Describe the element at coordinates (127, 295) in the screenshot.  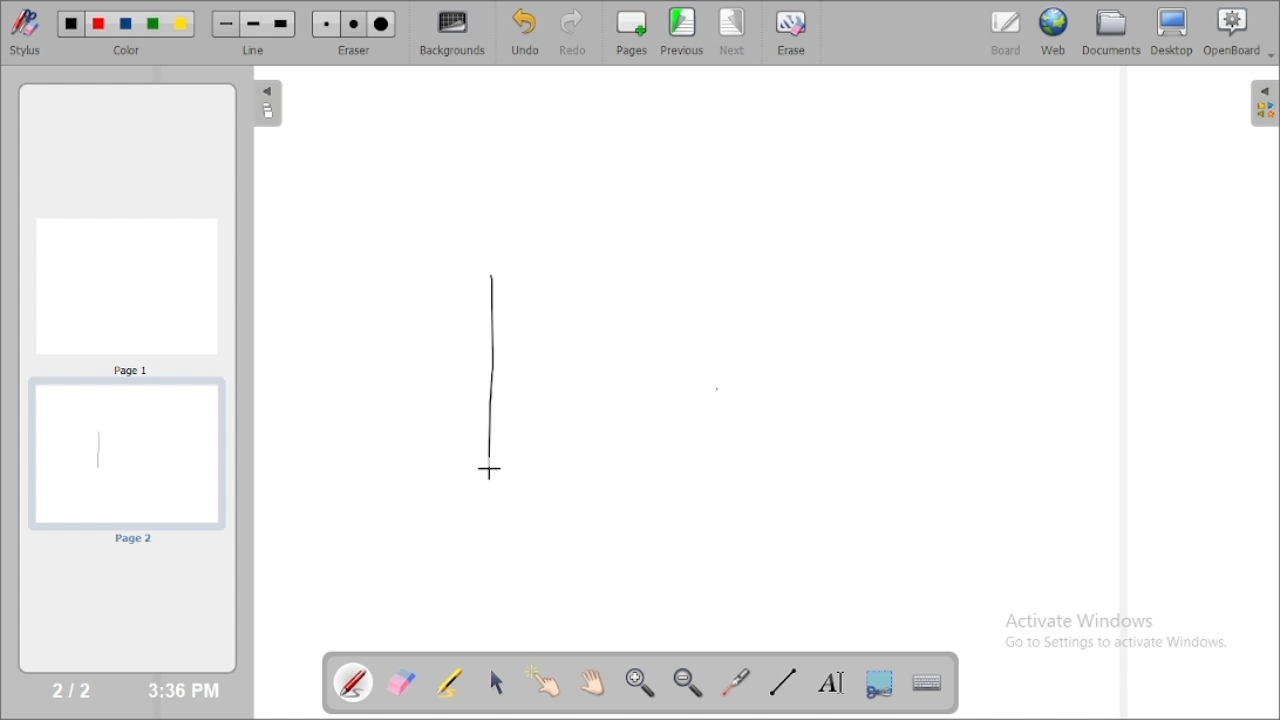
I see `Page 1` at that location.